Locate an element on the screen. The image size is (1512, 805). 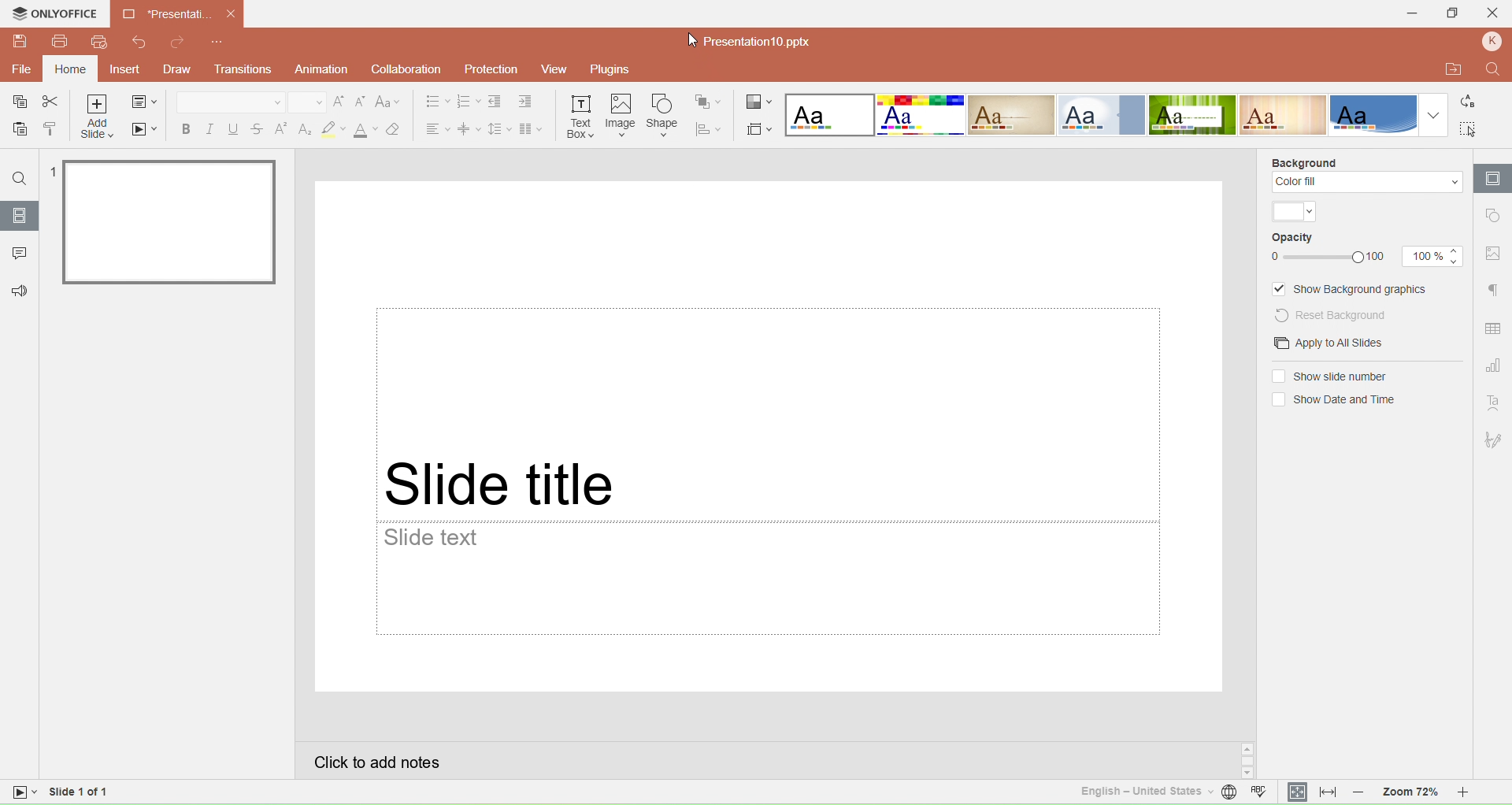
Home is located at coordinates (70, 69).